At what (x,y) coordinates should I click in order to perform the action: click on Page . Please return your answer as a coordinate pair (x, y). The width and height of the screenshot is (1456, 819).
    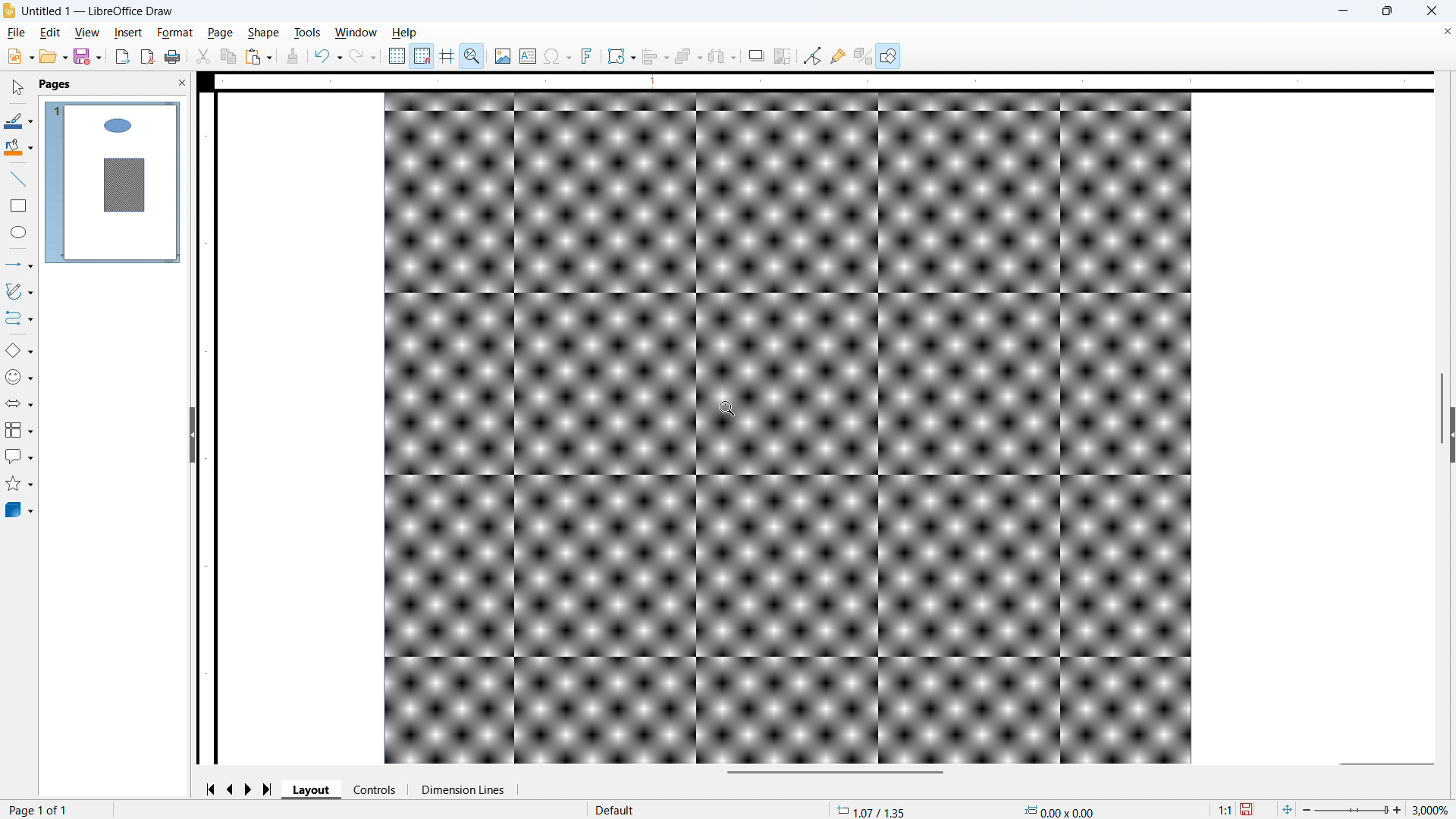
    Looking at the image, I should click on (827, 429).